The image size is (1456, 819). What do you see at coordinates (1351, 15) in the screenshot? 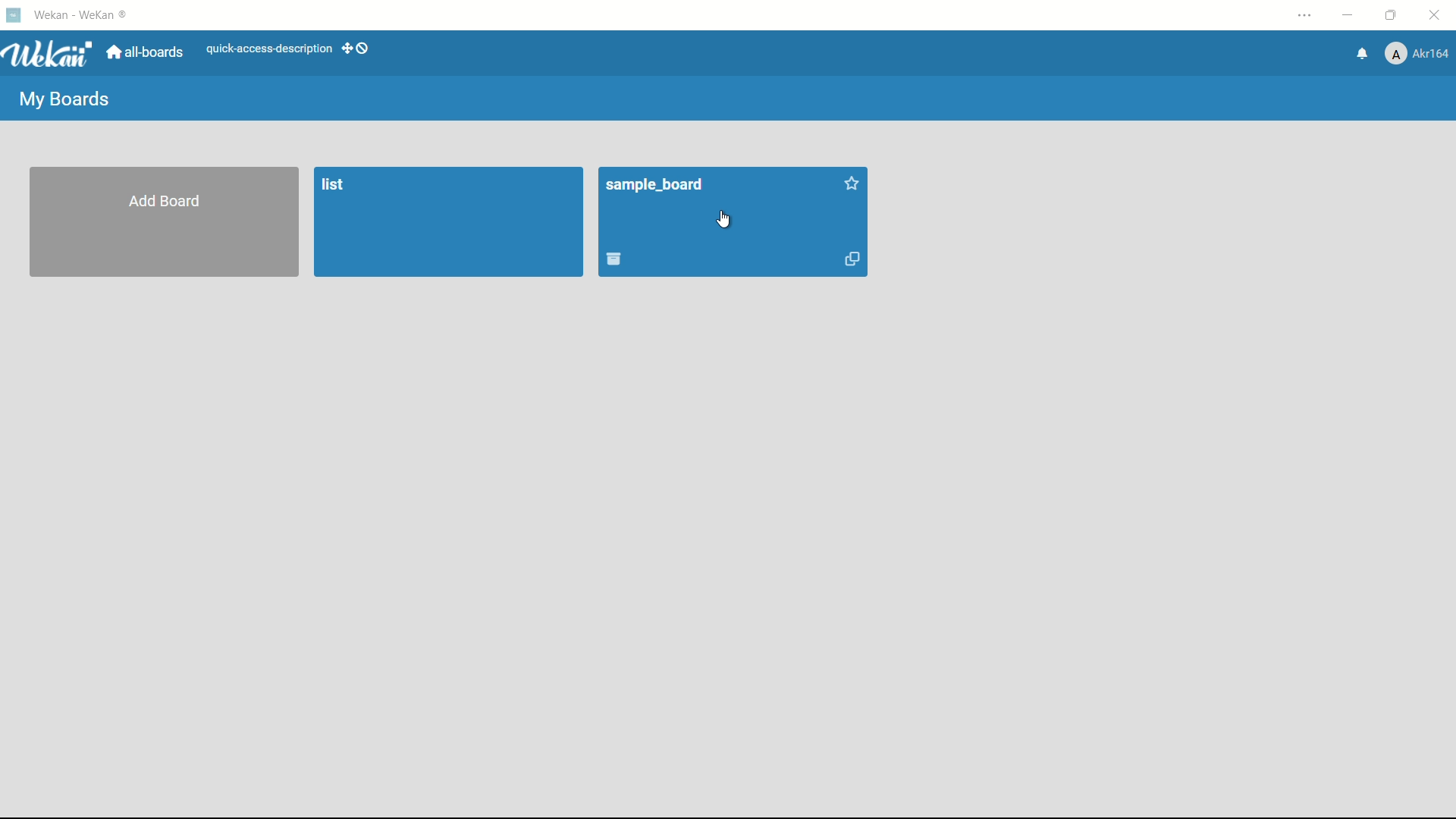
I see `minimize` at bounding box center [1351, 15].